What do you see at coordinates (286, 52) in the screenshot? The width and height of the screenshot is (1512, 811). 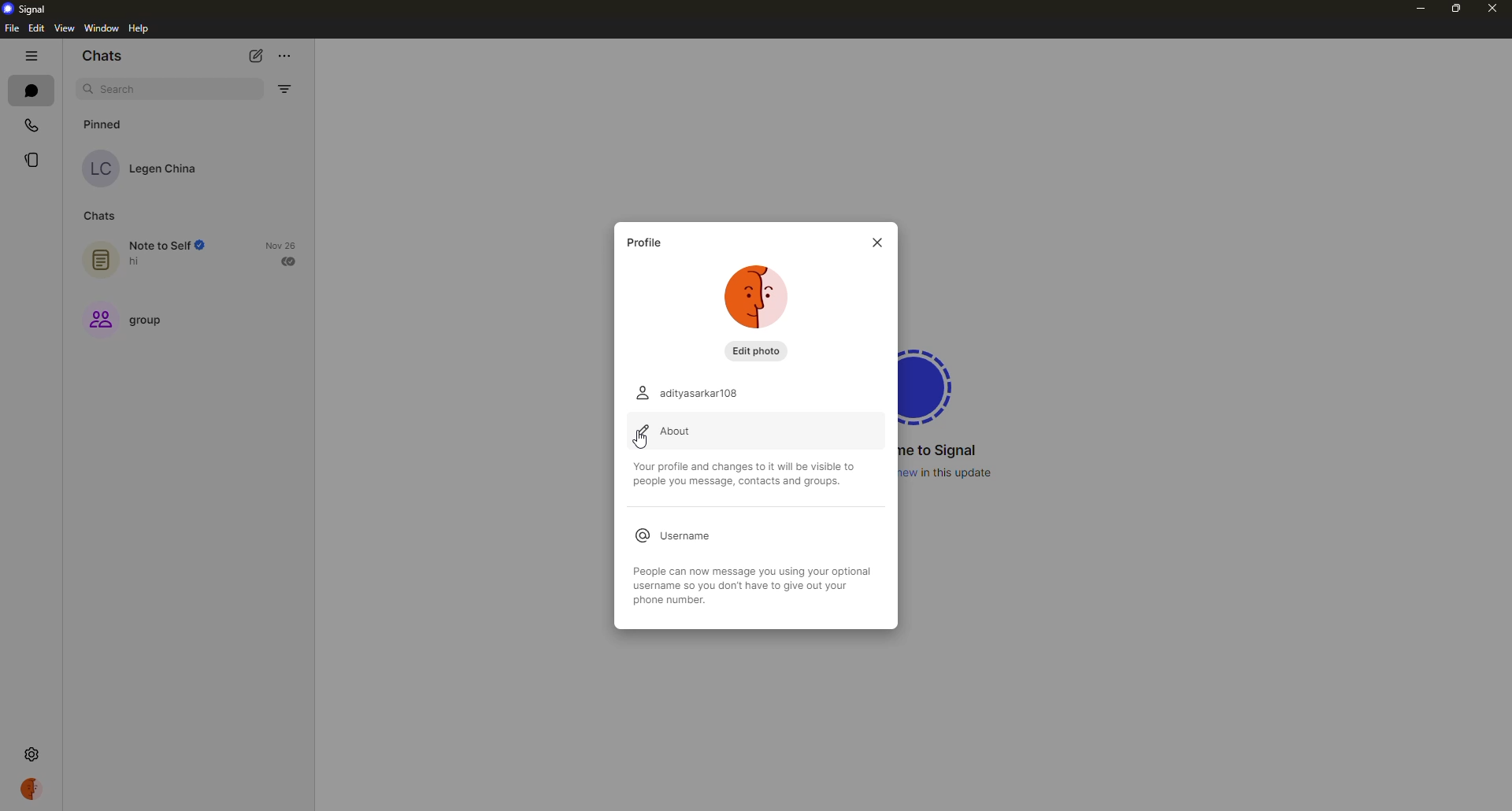 I see `more` at bounding box center [286, 52].